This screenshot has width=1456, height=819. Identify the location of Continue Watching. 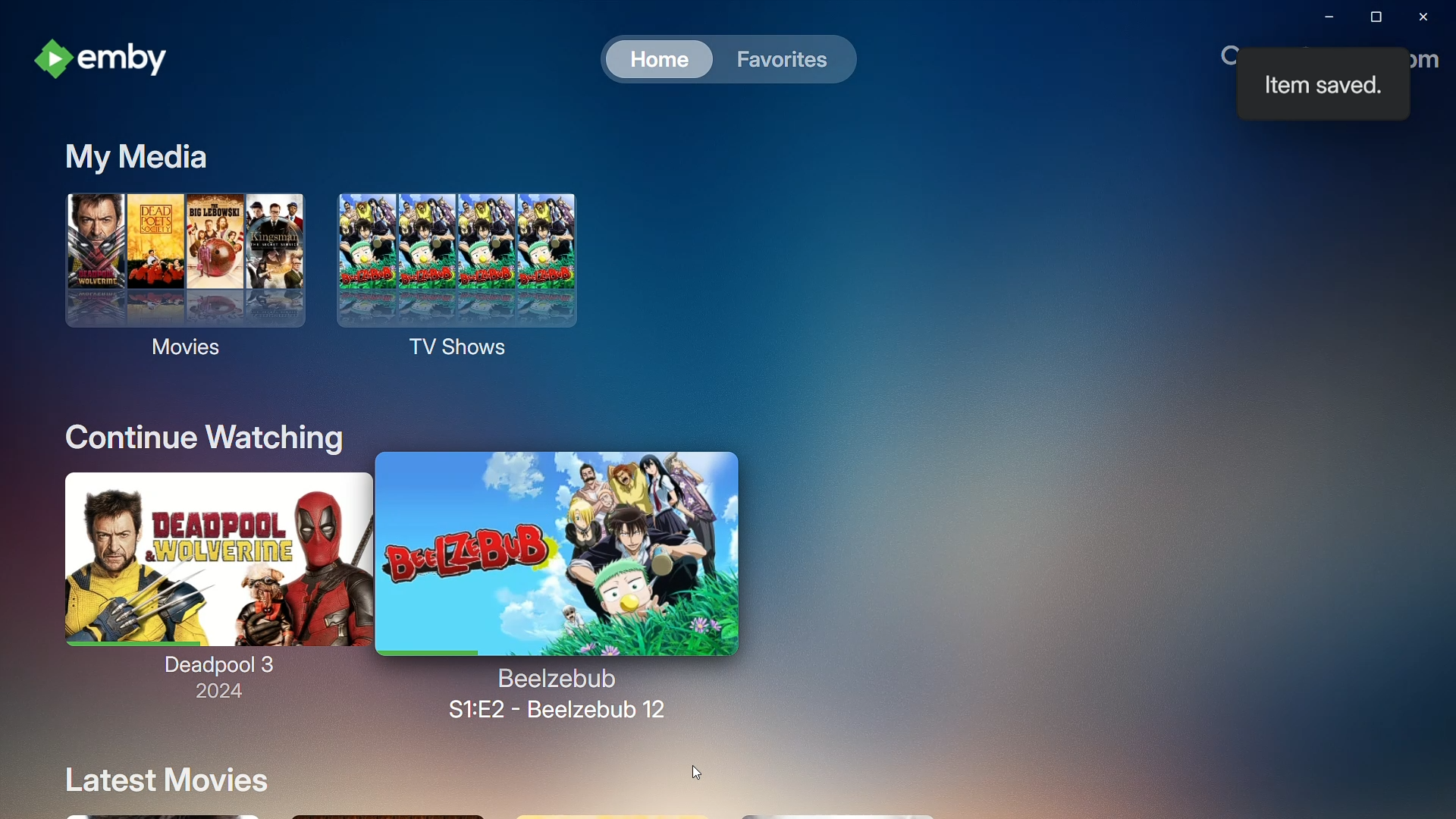
(196, 432).